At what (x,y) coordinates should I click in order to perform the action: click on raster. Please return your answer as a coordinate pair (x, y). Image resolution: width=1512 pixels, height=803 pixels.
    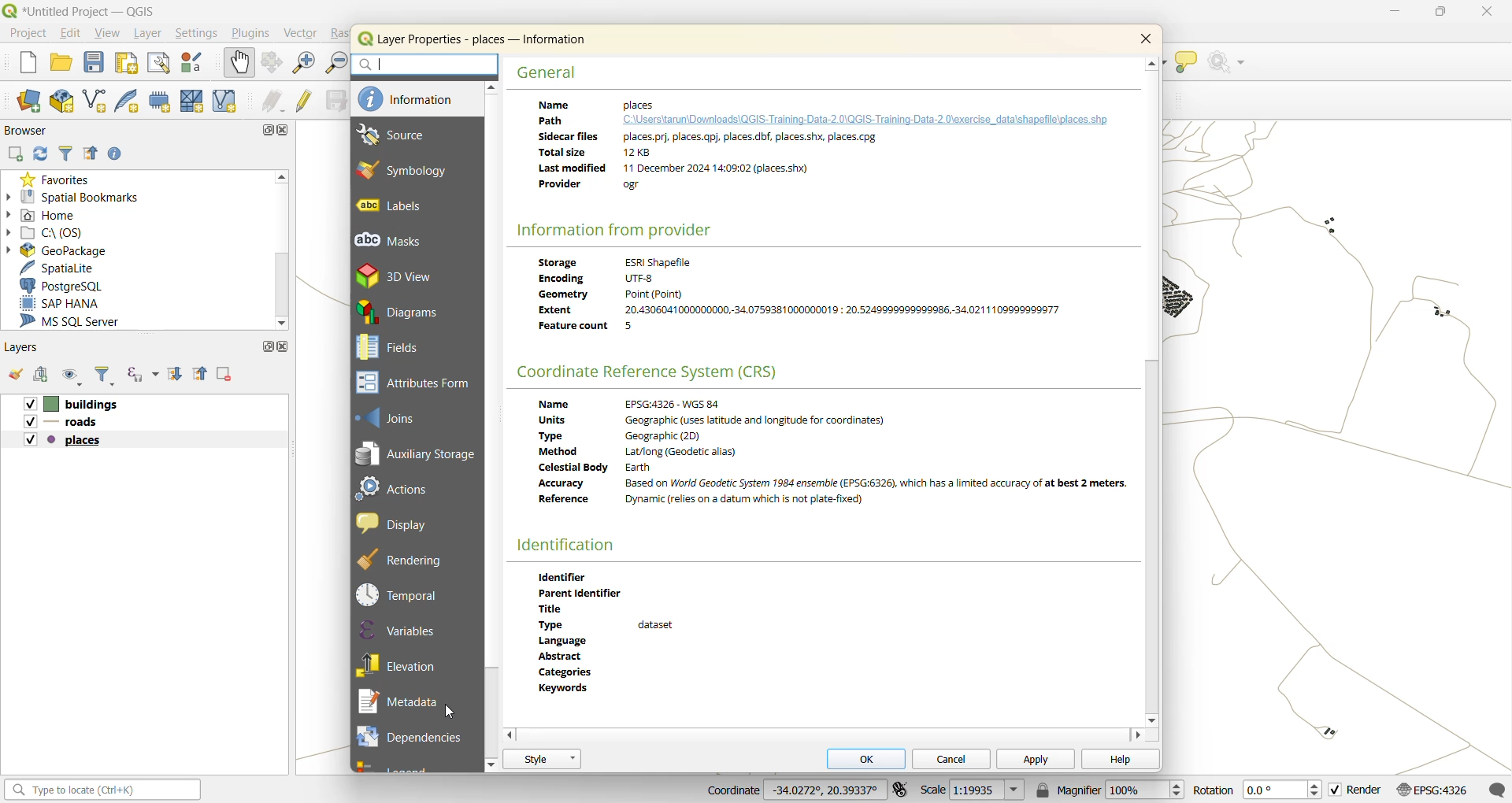
    Looking at the image, I should click on (343, 33).